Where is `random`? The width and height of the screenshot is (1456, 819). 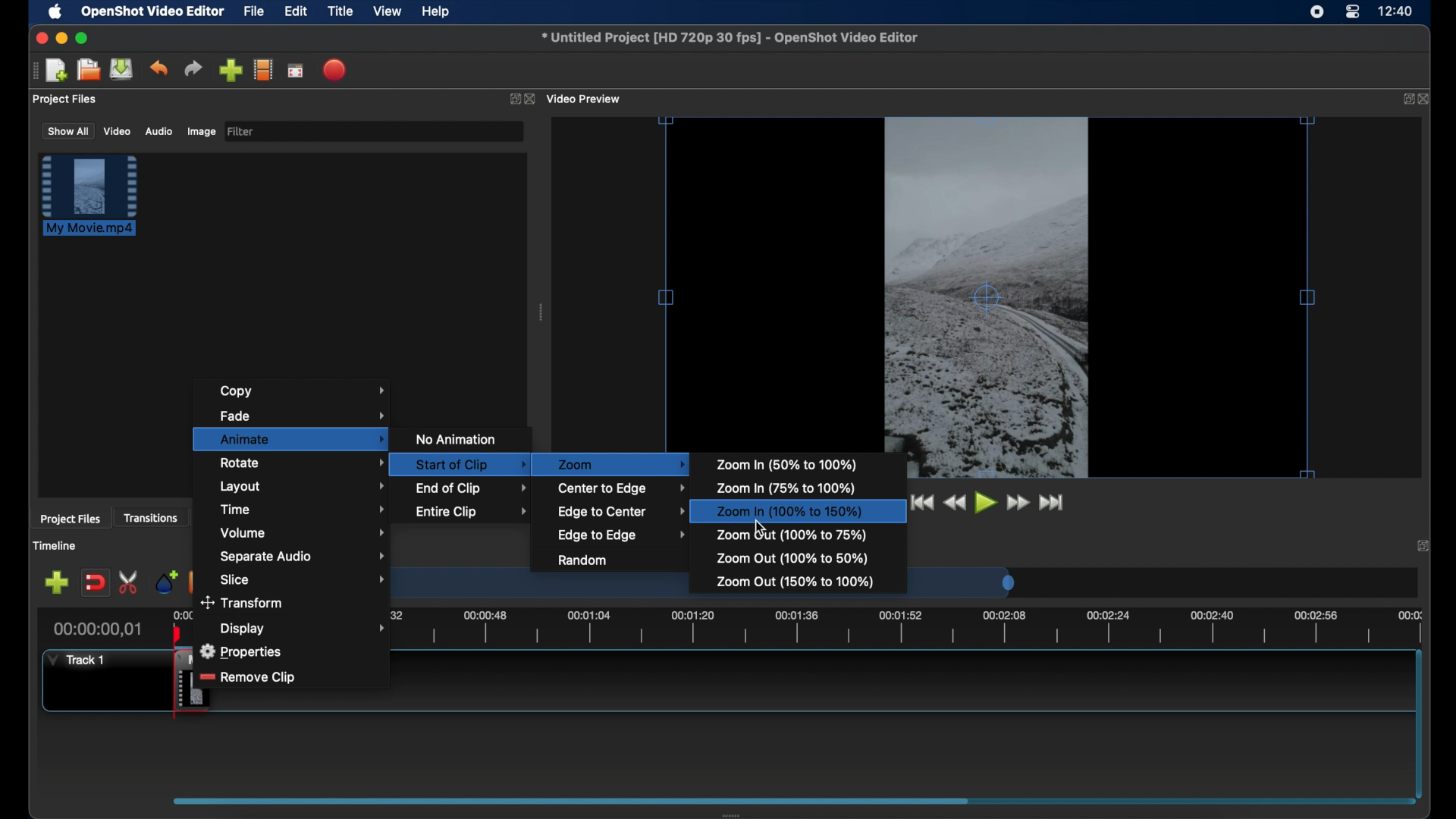 random is located at coordinates (582, 560).